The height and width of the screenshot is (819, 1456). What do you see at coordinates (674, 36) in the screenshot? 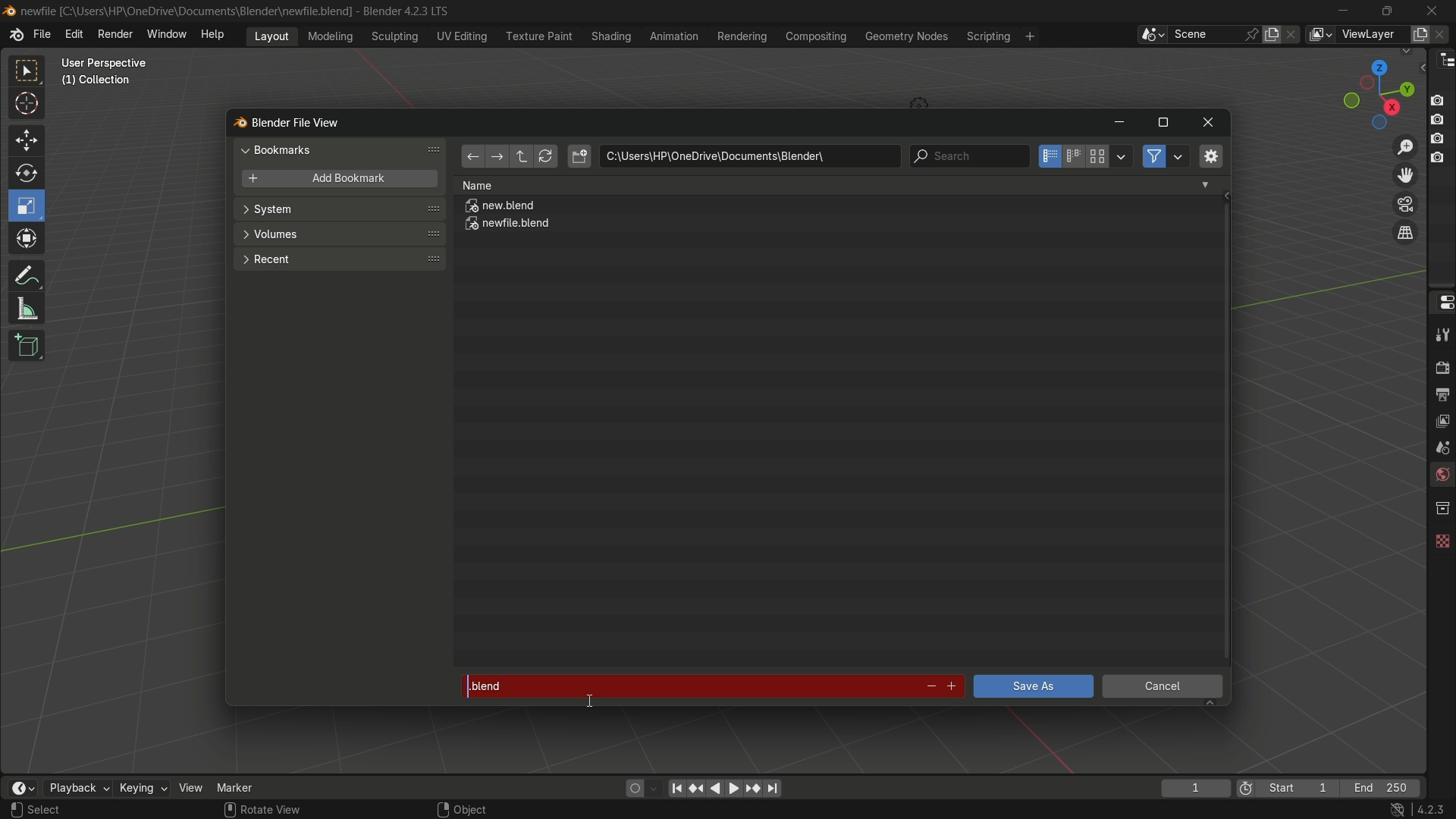
I see `animation menu` at bounding box center [674, 36].